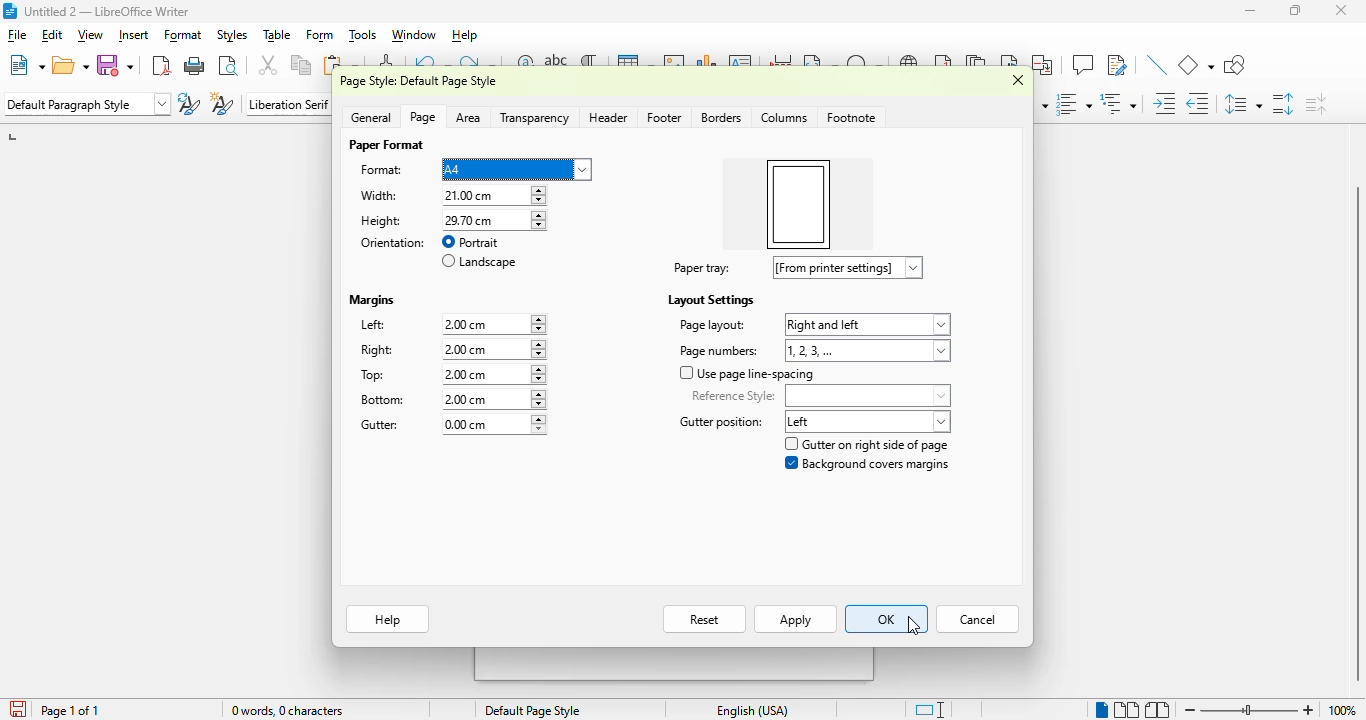 Image resolution: width=1366 pixels, height=720 pixels. I want to click on text language, so click(753, 710).